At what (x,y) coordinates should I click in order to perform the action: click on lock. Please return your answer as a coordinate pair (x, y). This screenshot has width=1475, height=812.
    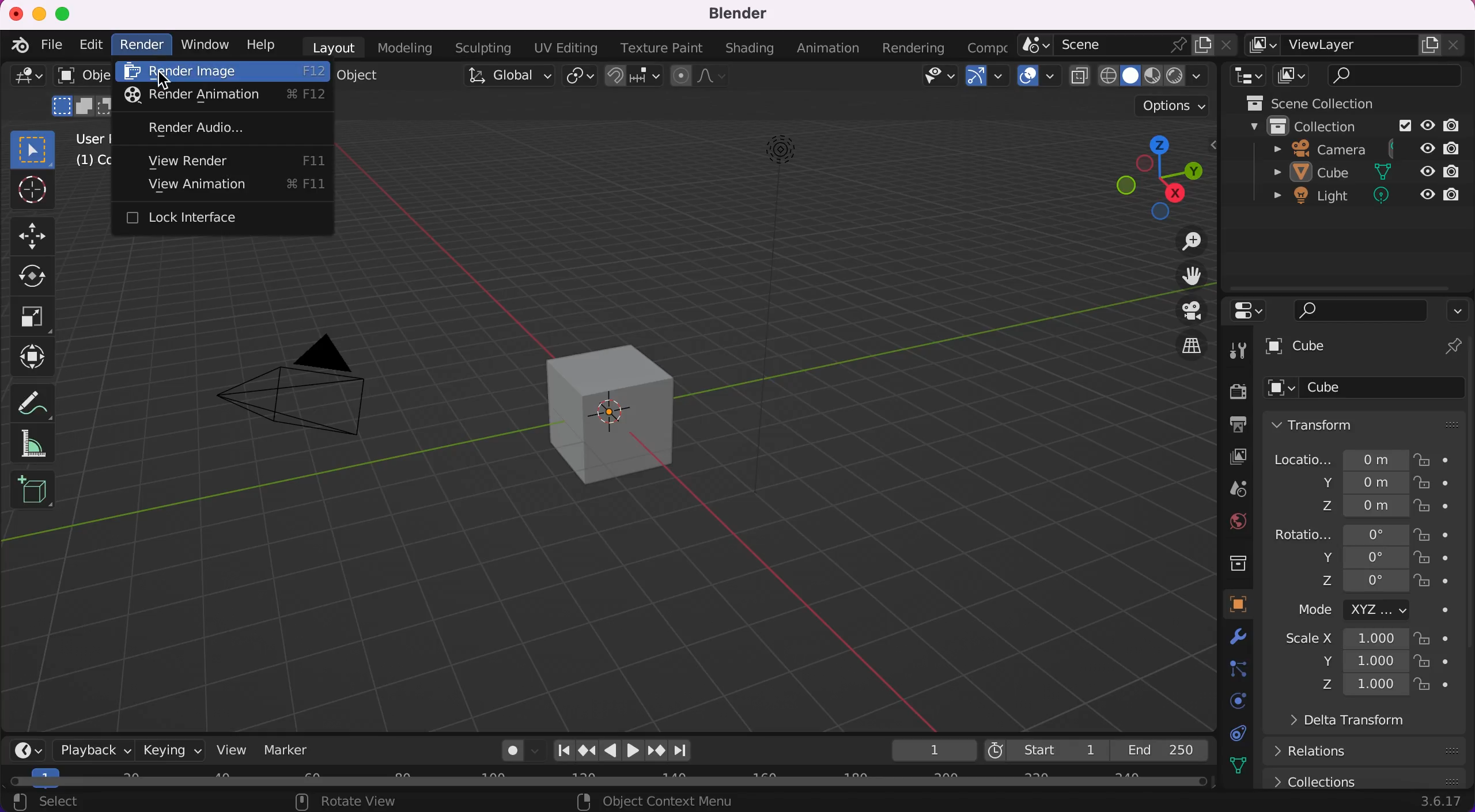
    Looking at the image, I should click on (1435, 687).